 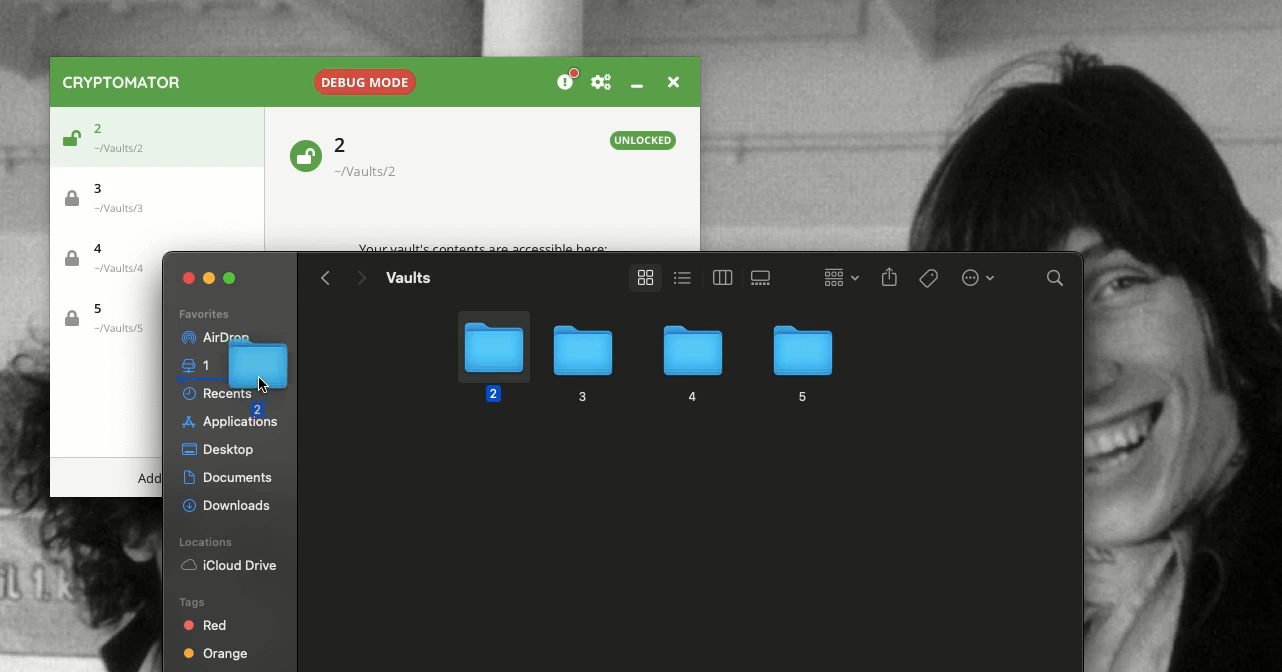 What do you see at coordinates (216, 656) in the screenshot?
I see `Orange` at bounding box center [216, 656].